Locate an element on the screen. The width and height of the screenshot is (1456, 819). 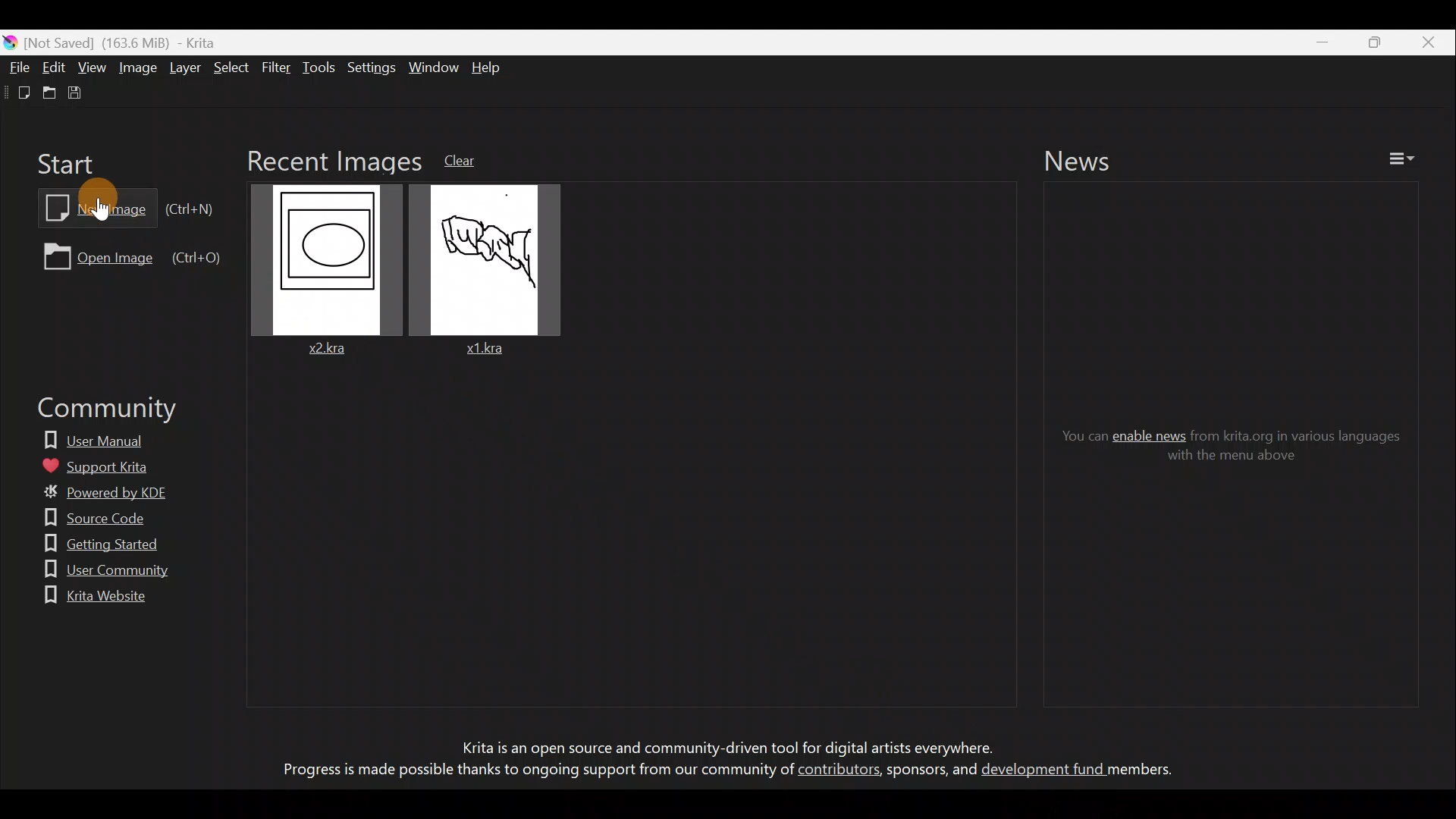
Open image (Ctrl+O) is located at coordinates (130, 256).